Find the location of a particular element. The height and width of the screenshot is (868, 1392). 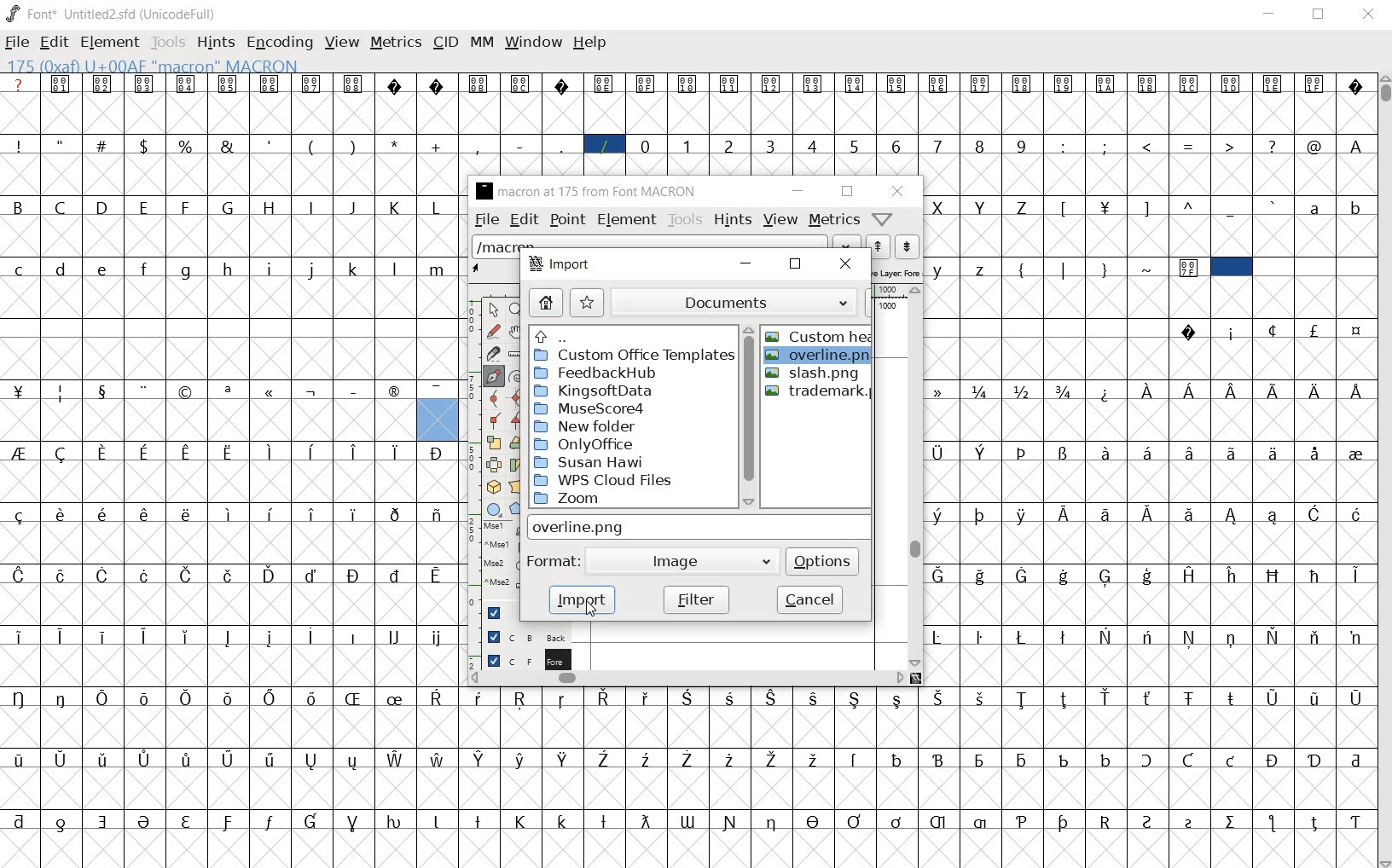

Symbol is located at coordinates (983, 514).